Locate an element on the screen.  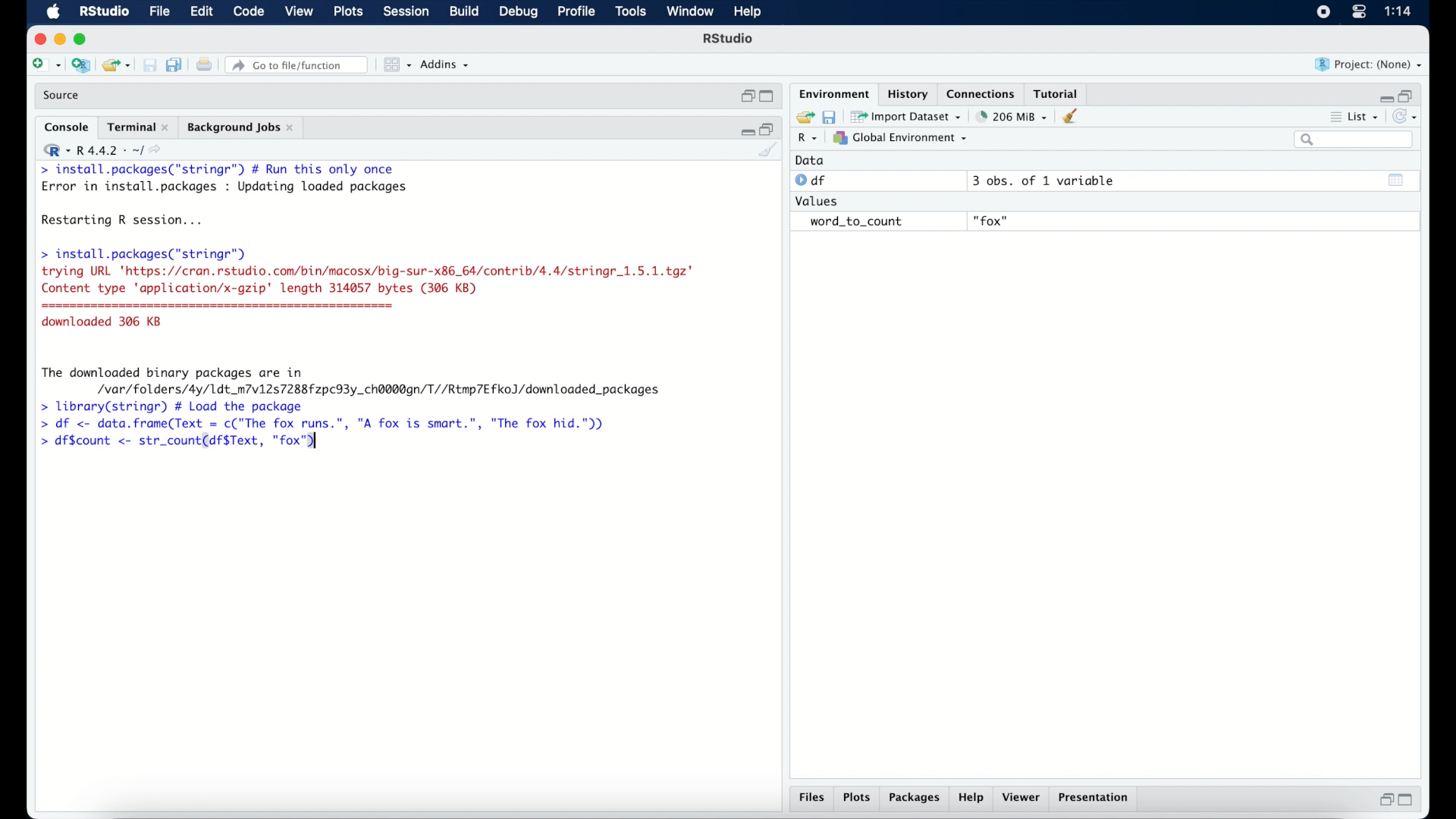
window is located at coordinates (690, 12).